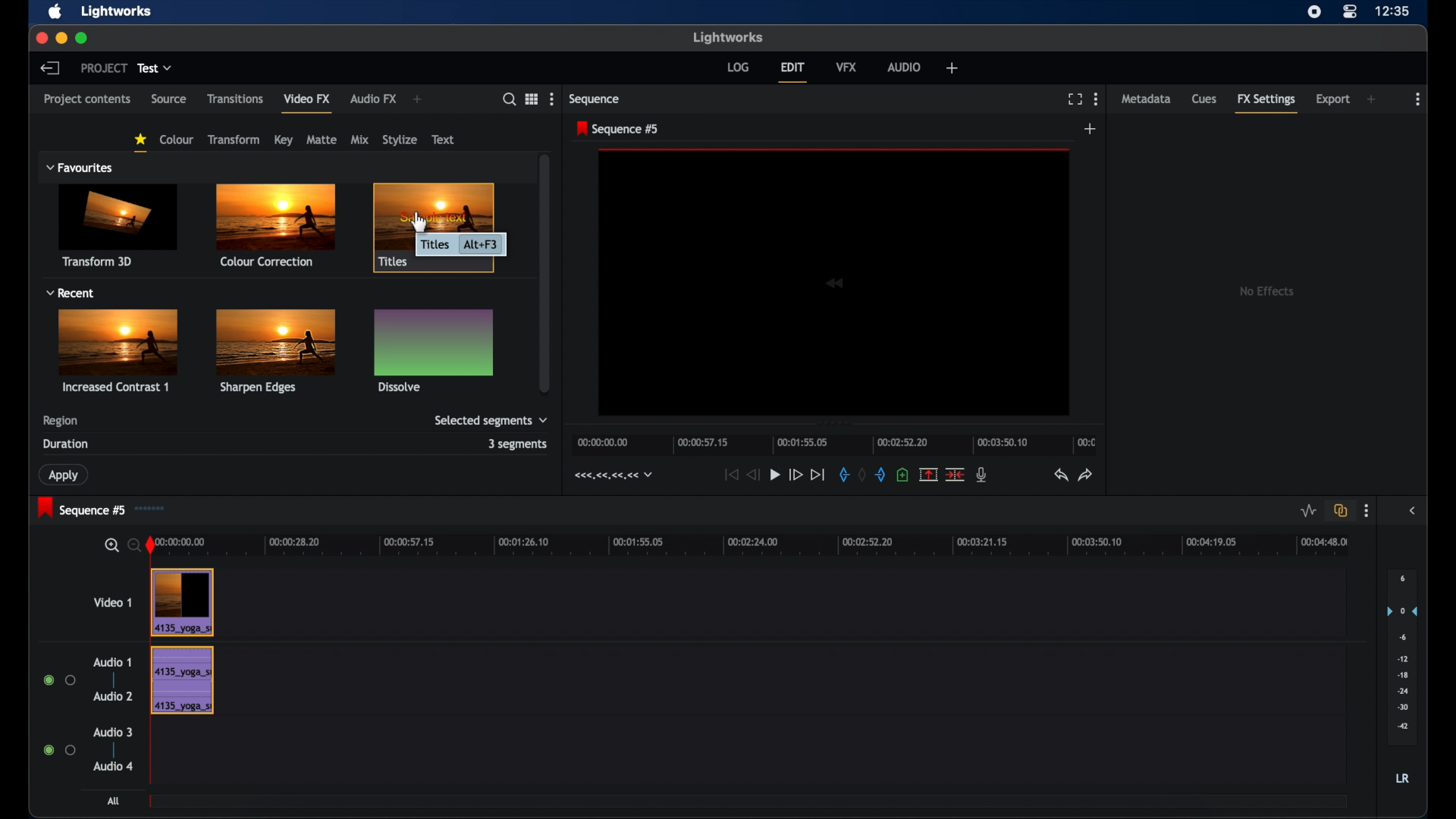  What do you see at coordinates (443, 140) in the screenshot?
I see `text` at bounding box center [443, 140].